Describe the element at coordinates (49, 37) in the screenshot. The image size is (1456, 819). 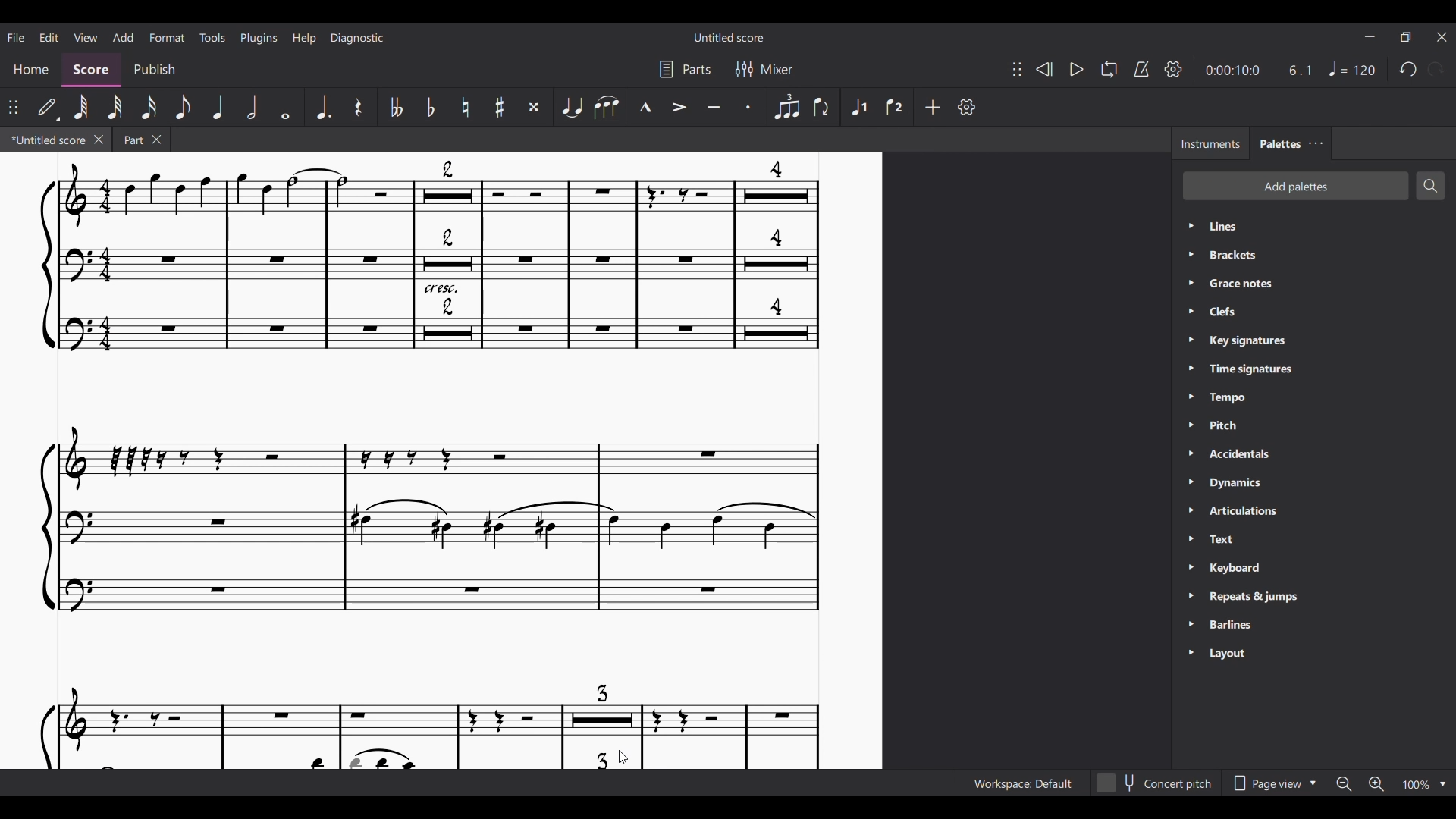
I see `Edit menu` at that location.